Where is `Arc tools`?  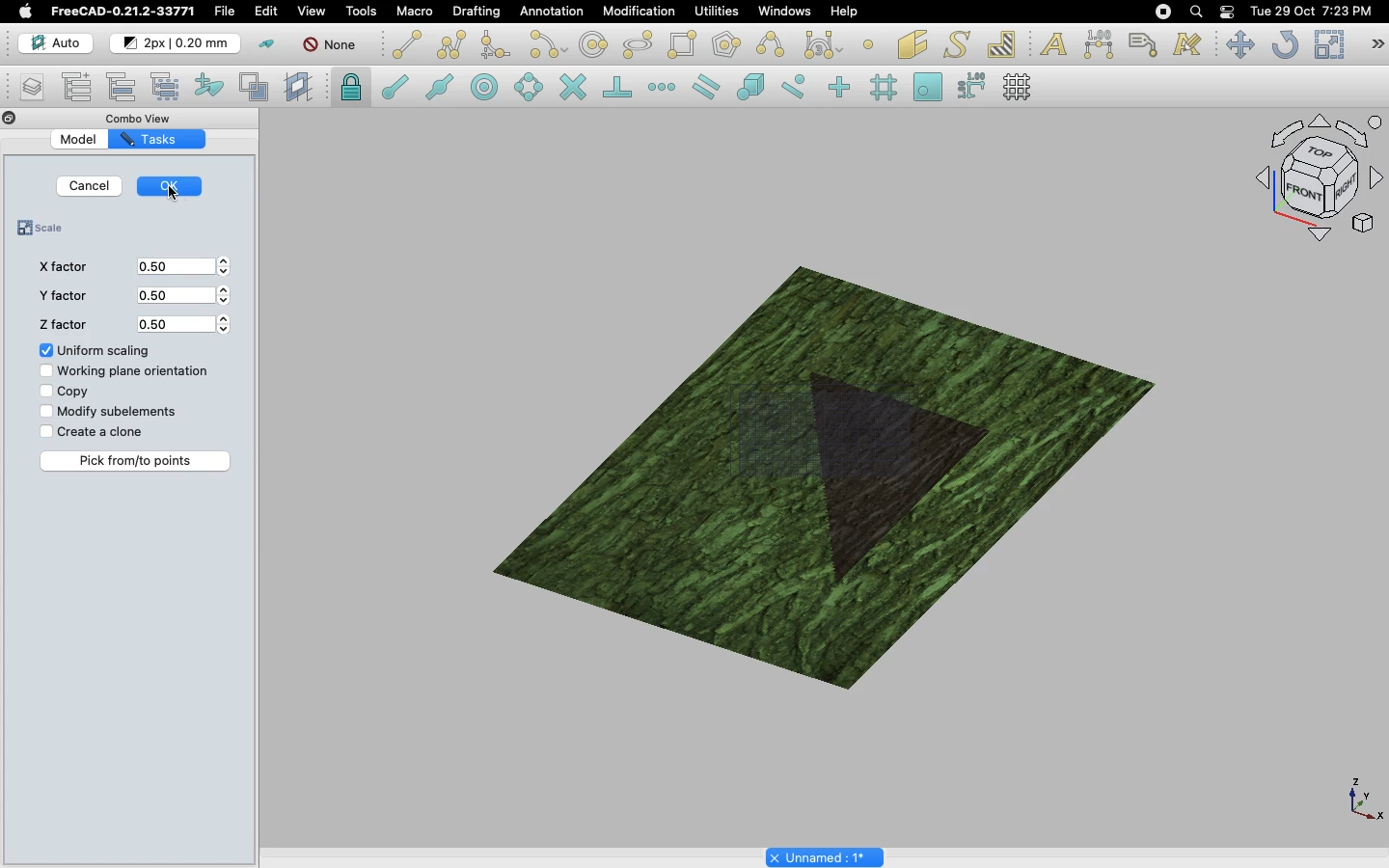 Arc tools is located at coordinates (546, 44).